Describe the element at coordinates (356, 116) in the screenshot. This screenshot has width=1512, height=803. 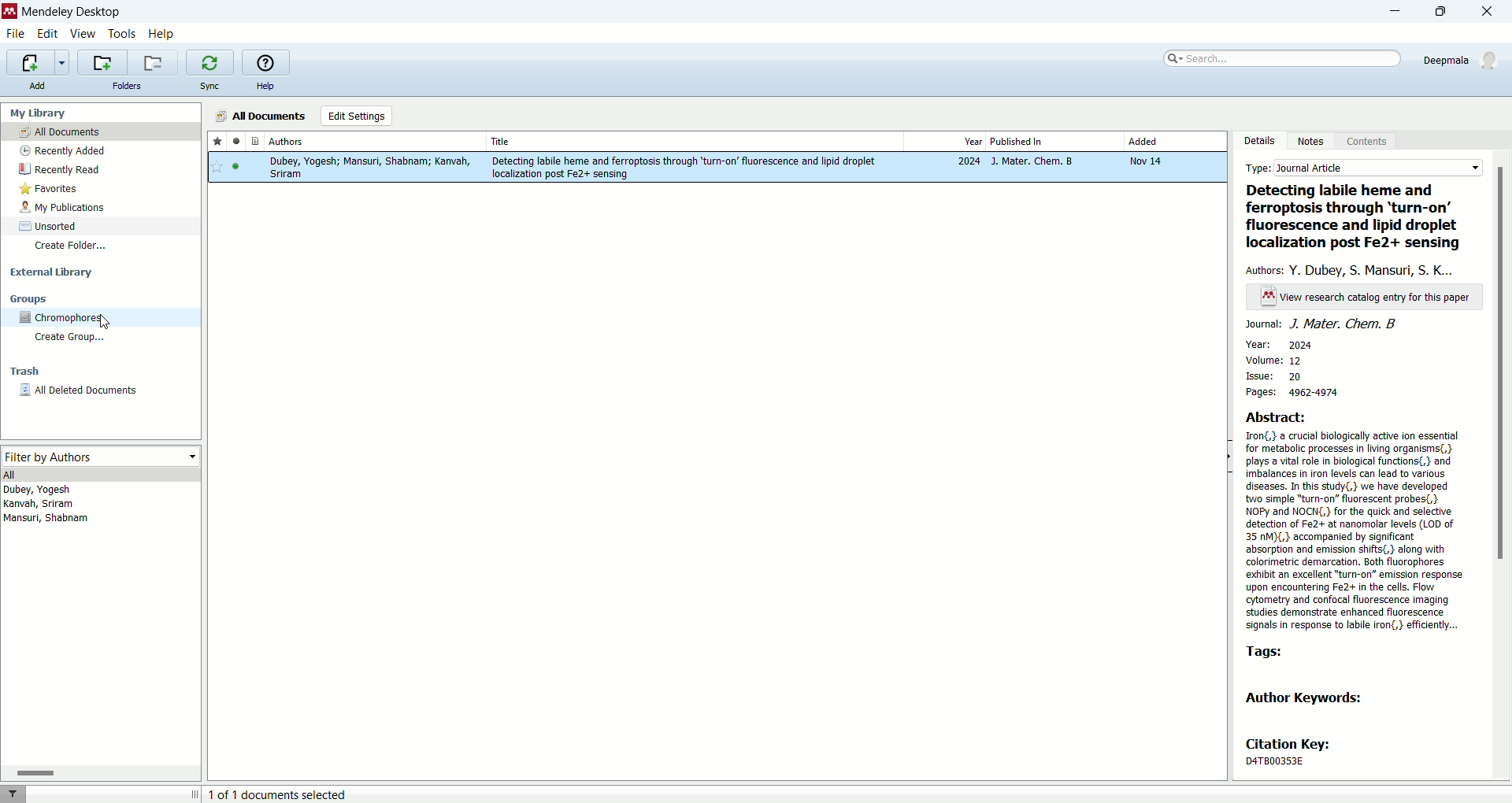
I see `edit settings` at that location.